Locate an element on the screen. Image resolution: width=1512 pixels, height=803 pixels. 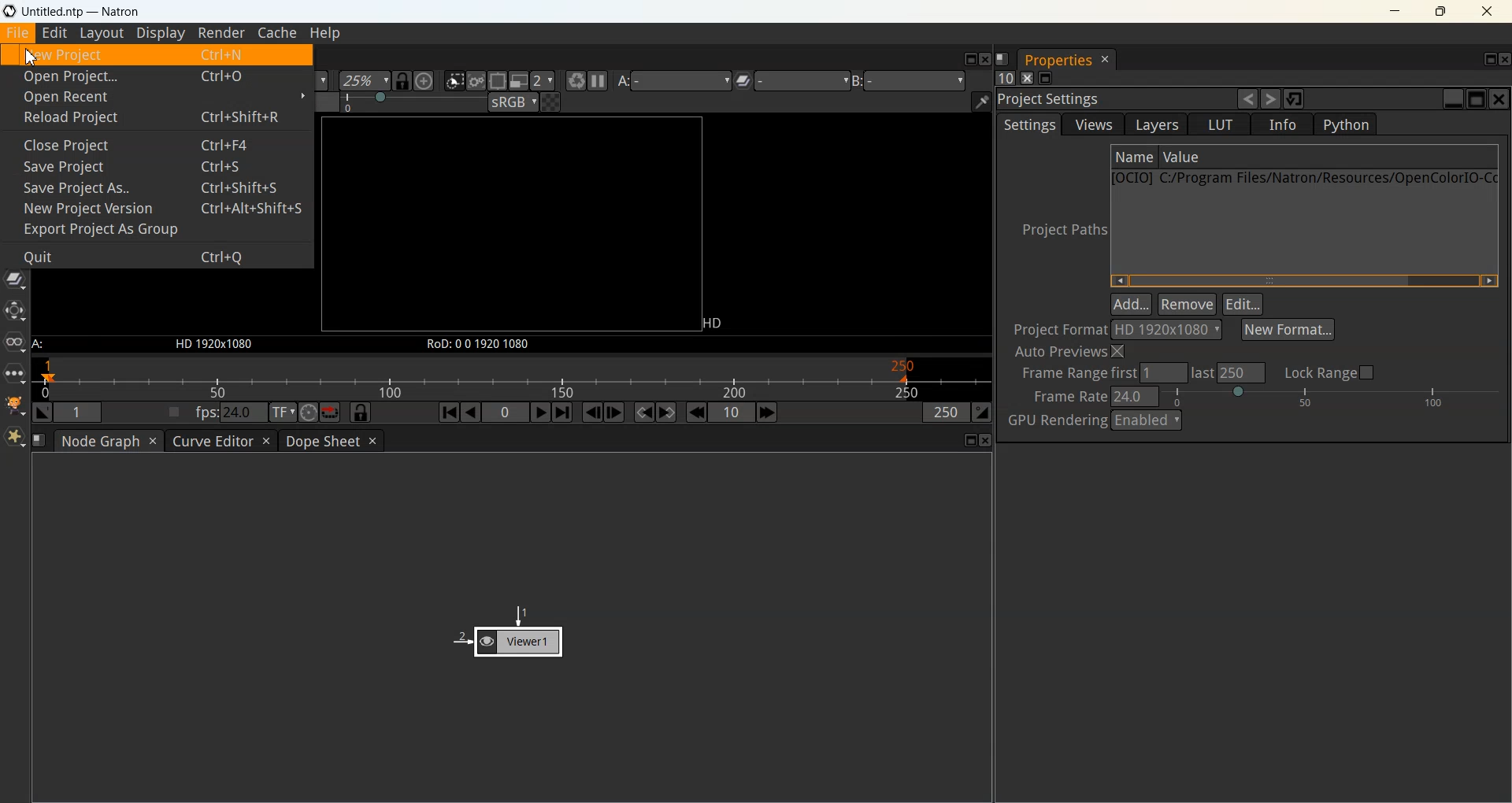
Limits the portion is located at coordinates (497, 80).